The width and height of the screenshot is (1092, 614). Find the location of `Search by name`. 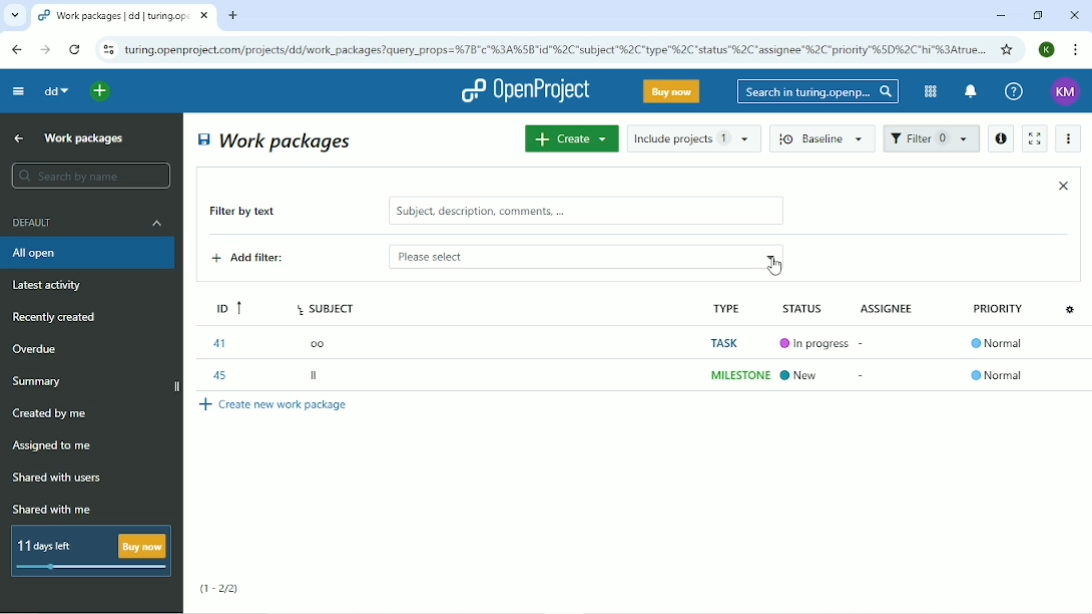

Search by name is located at coordinates (90, 176).